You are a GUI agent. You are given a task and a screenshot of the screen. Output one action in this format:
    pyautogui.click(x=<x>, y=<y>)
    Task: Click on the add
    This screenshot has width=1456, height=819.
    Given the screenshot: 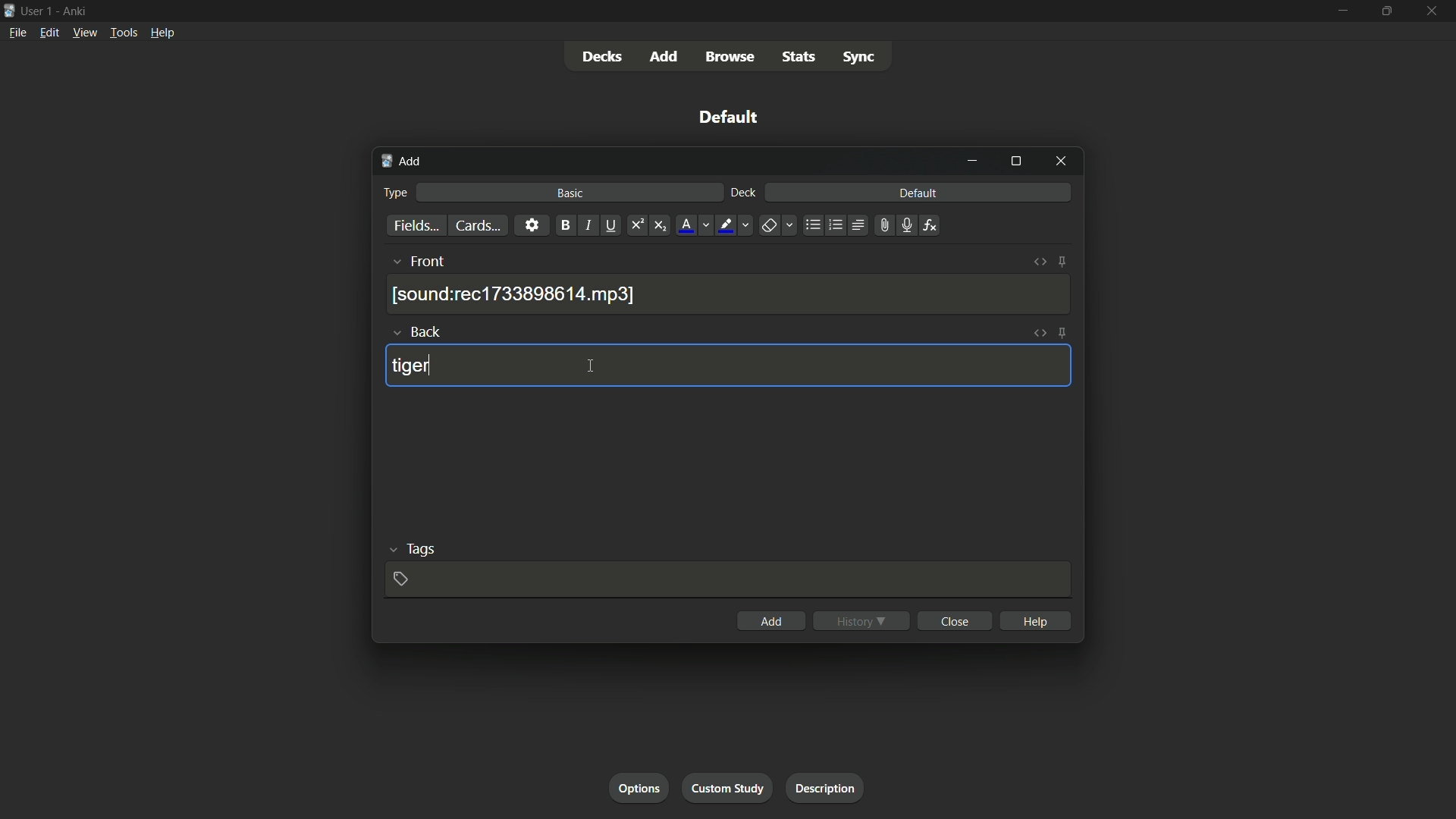 What is the action you would take?
    pyautogui.click(x=770, y=621)
    